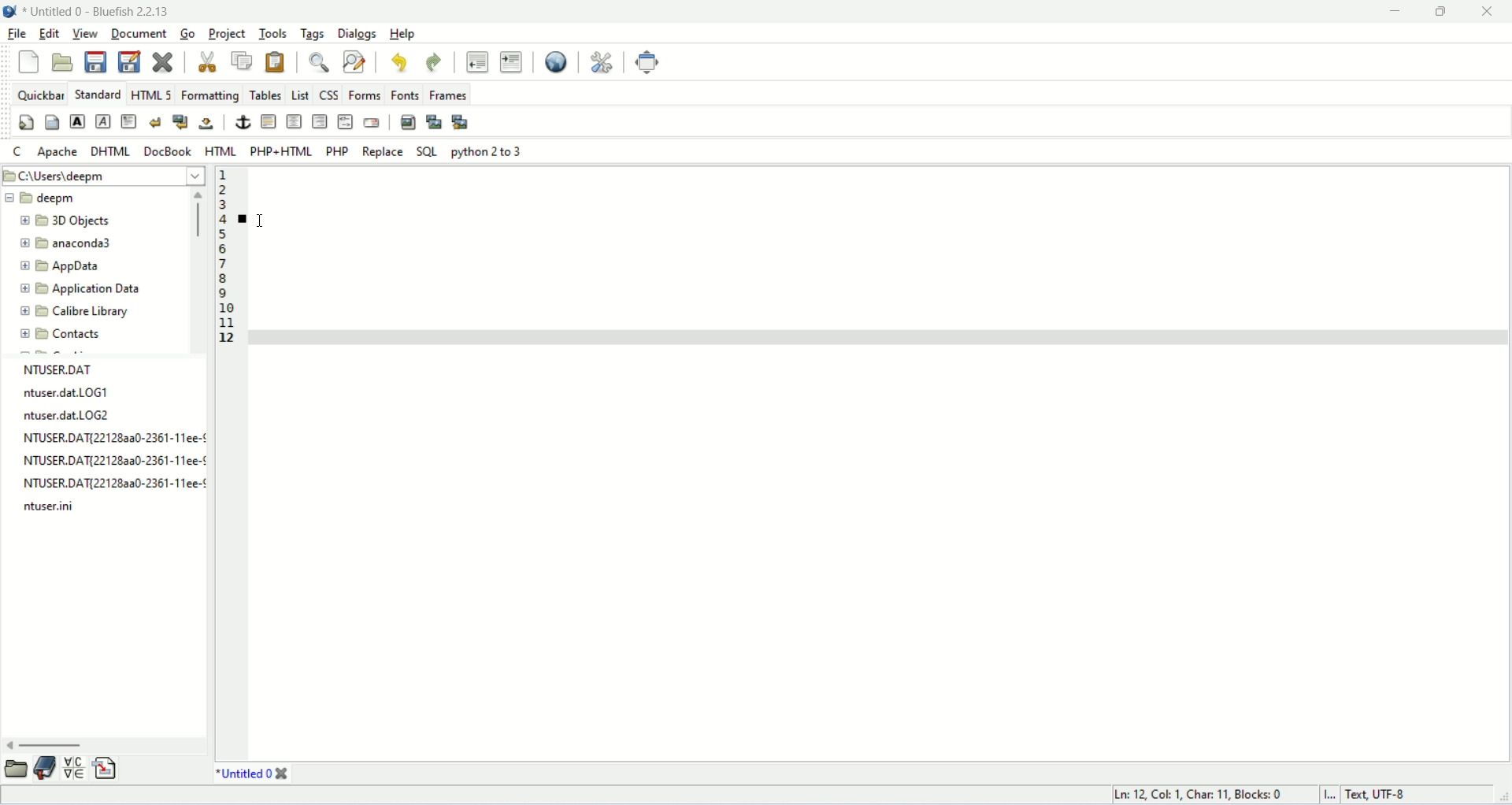  What do you see at coordinates (478, 61) in the screenshot?
I see `unindent` at bounding box center [478, 61].